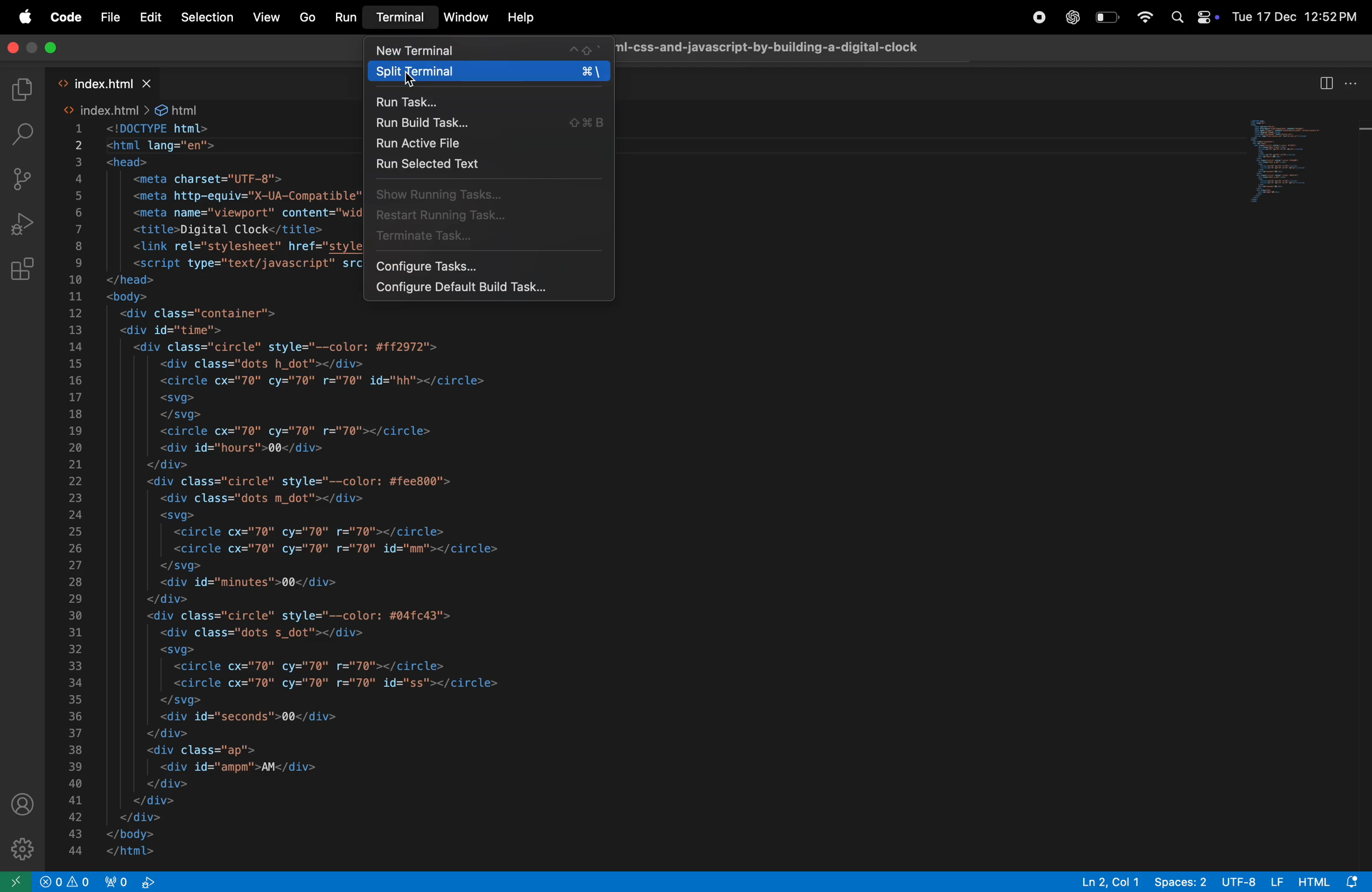 This screenshot has width=1372, height=892. I want to click on source control, so click(26, 182).